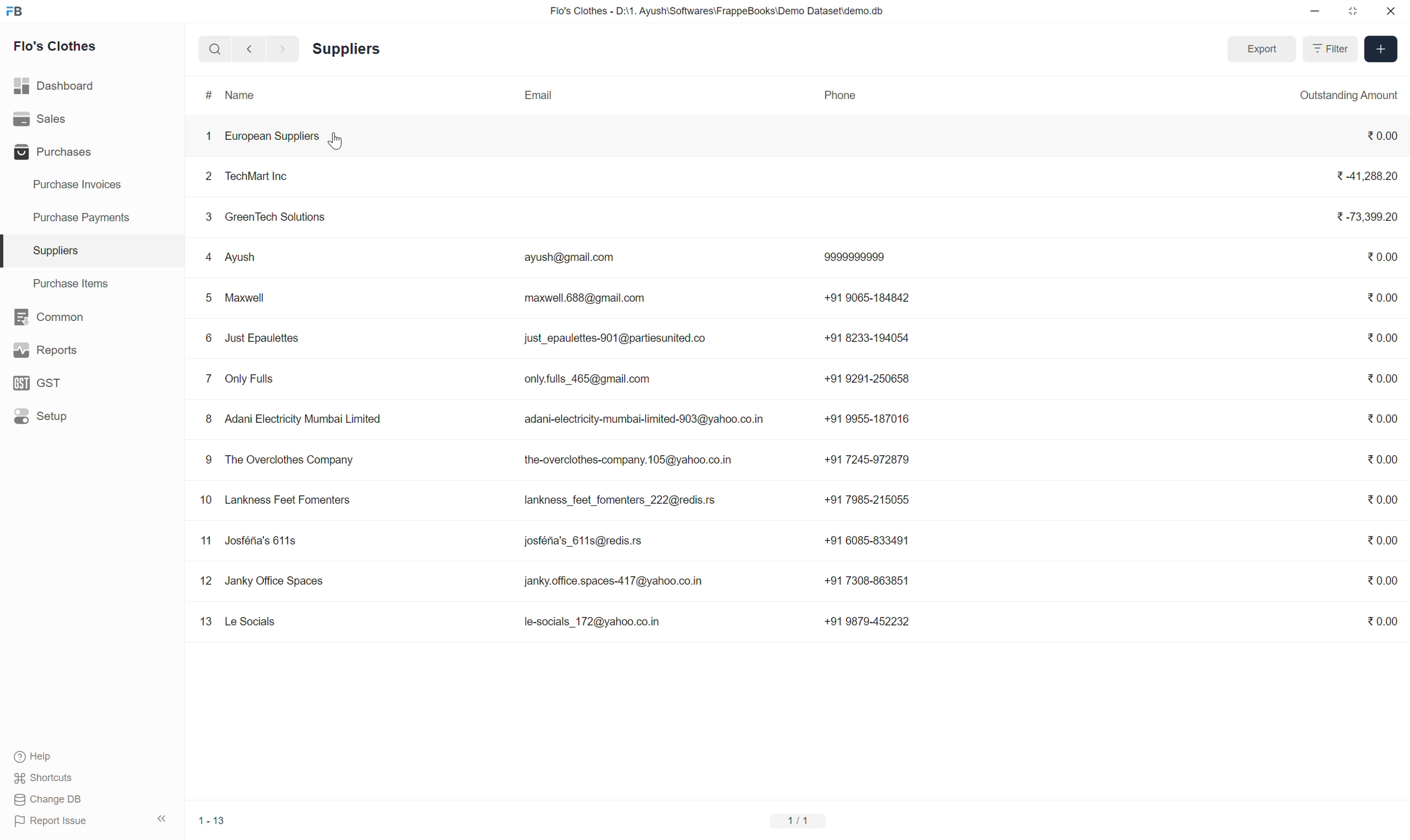 The height and width of the screenshot is (840, 1410). I want to click on forward, so click(279, 48).